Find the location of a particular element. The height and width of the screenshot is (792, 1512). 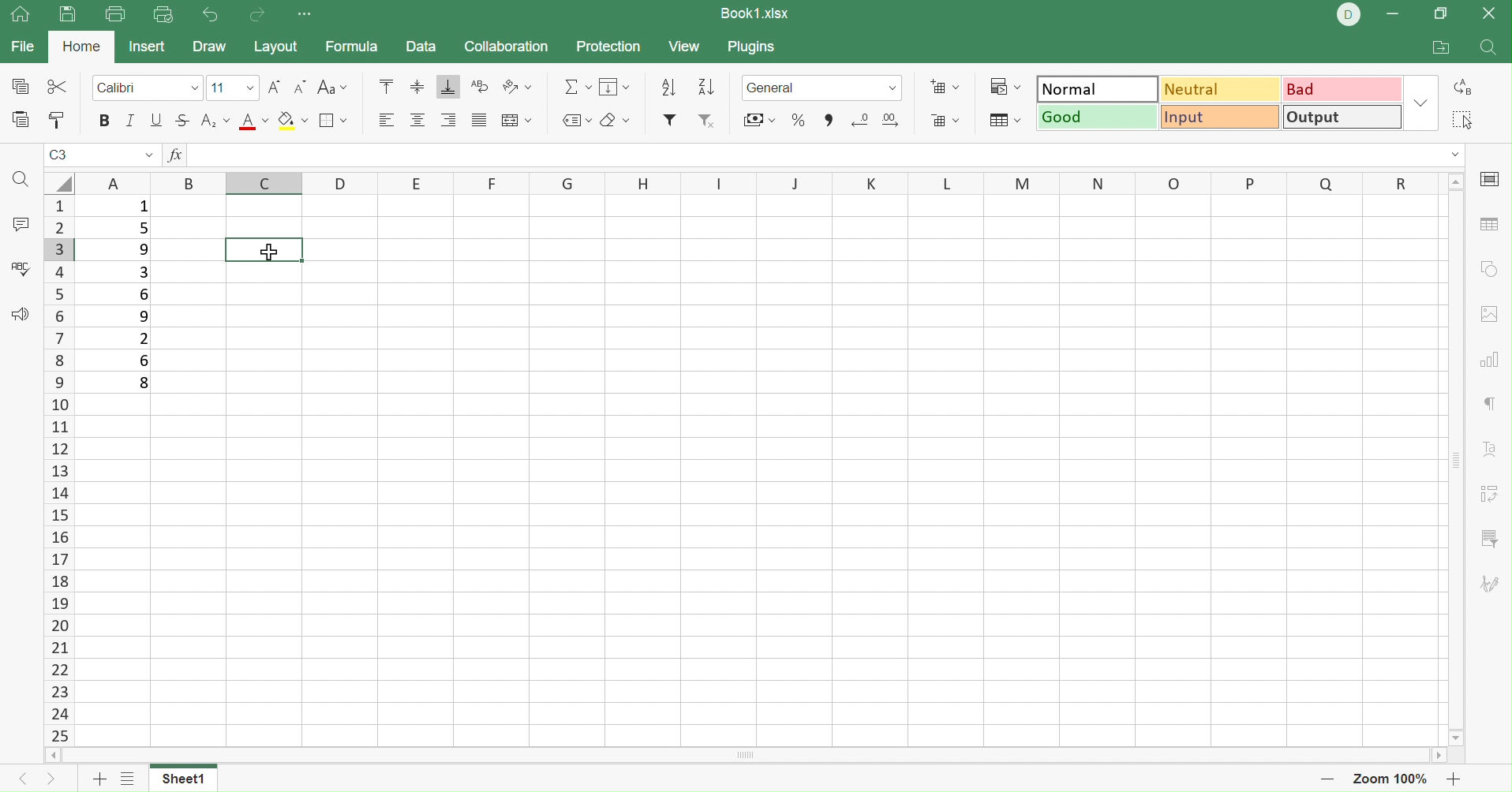

Feedback & support is located at coordinates (20, 313).